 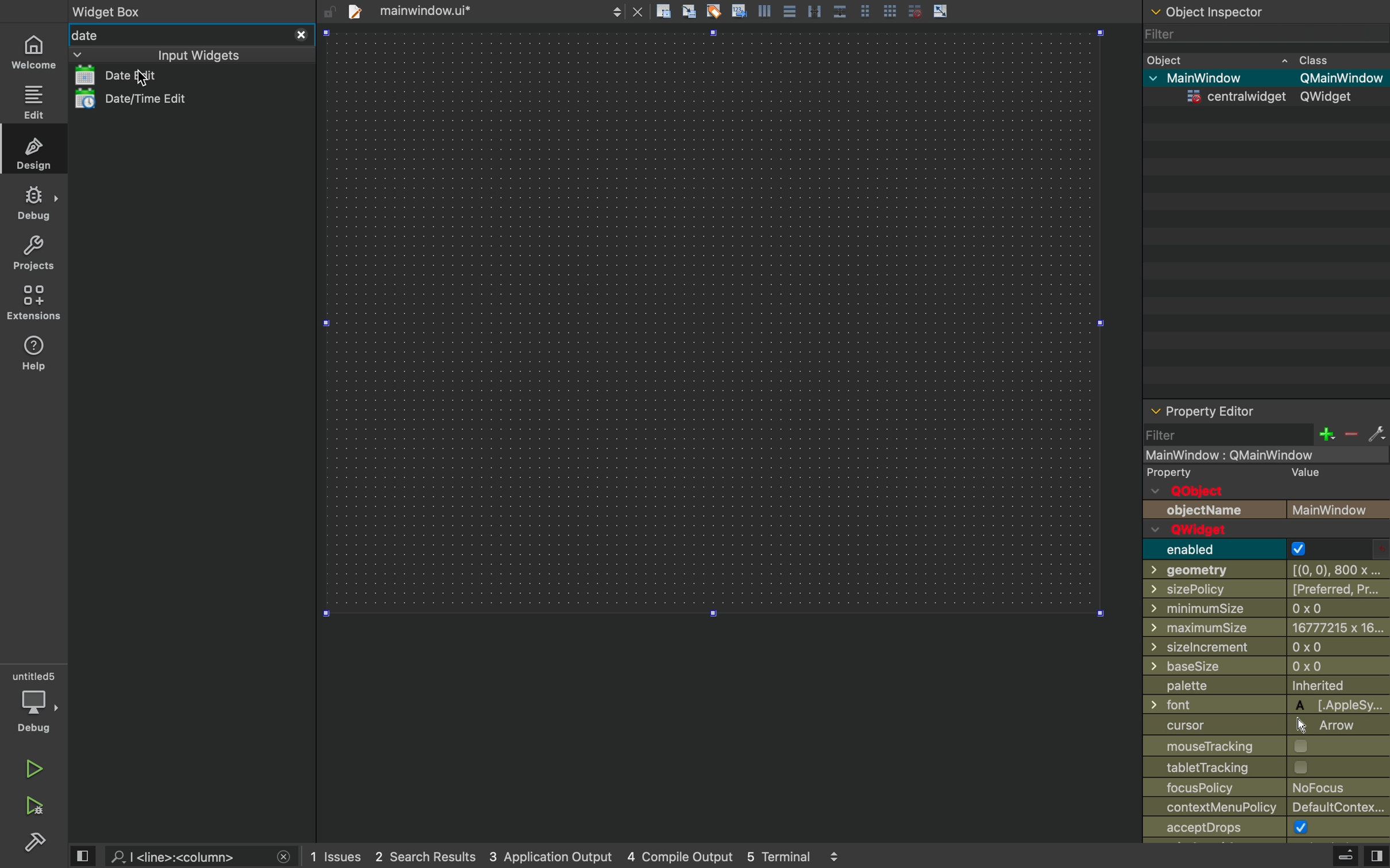 I want to click on object inspector, so click(x=1266, y=12).